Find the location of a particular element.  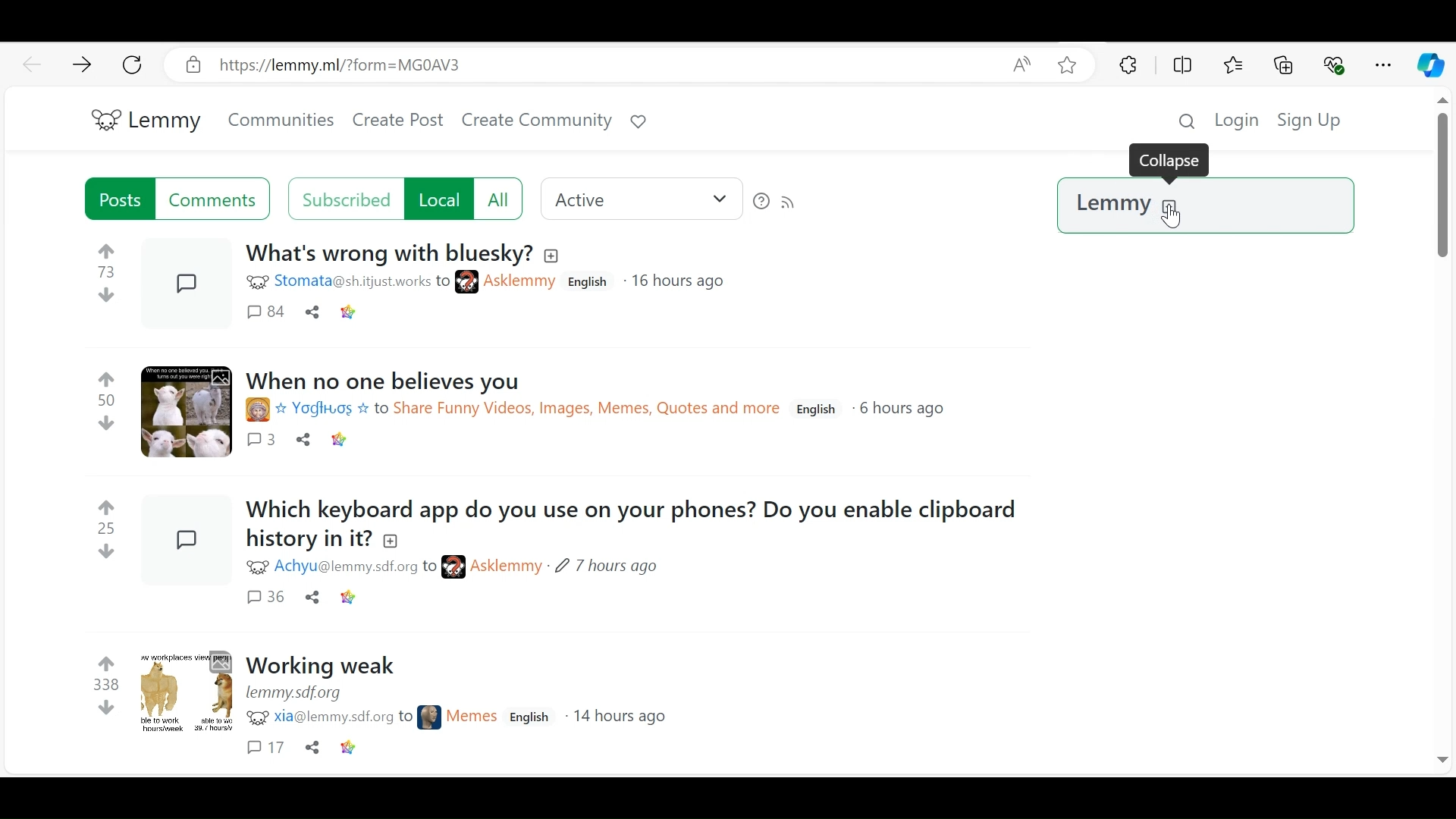

Create Post is located at coordinates (398, 124).